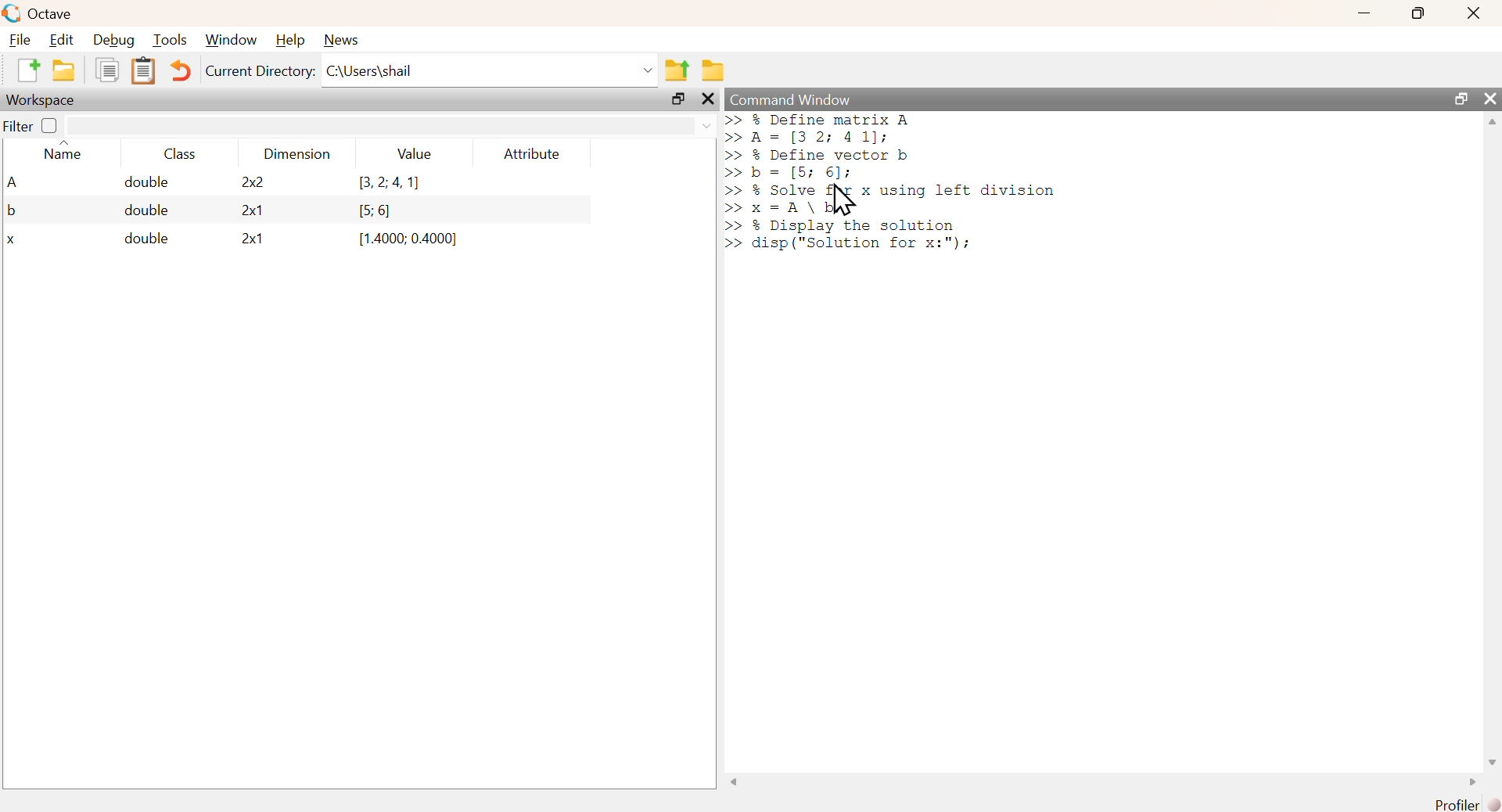 The image size is (1502, 812). I want to click on close, so click(1472, 14).